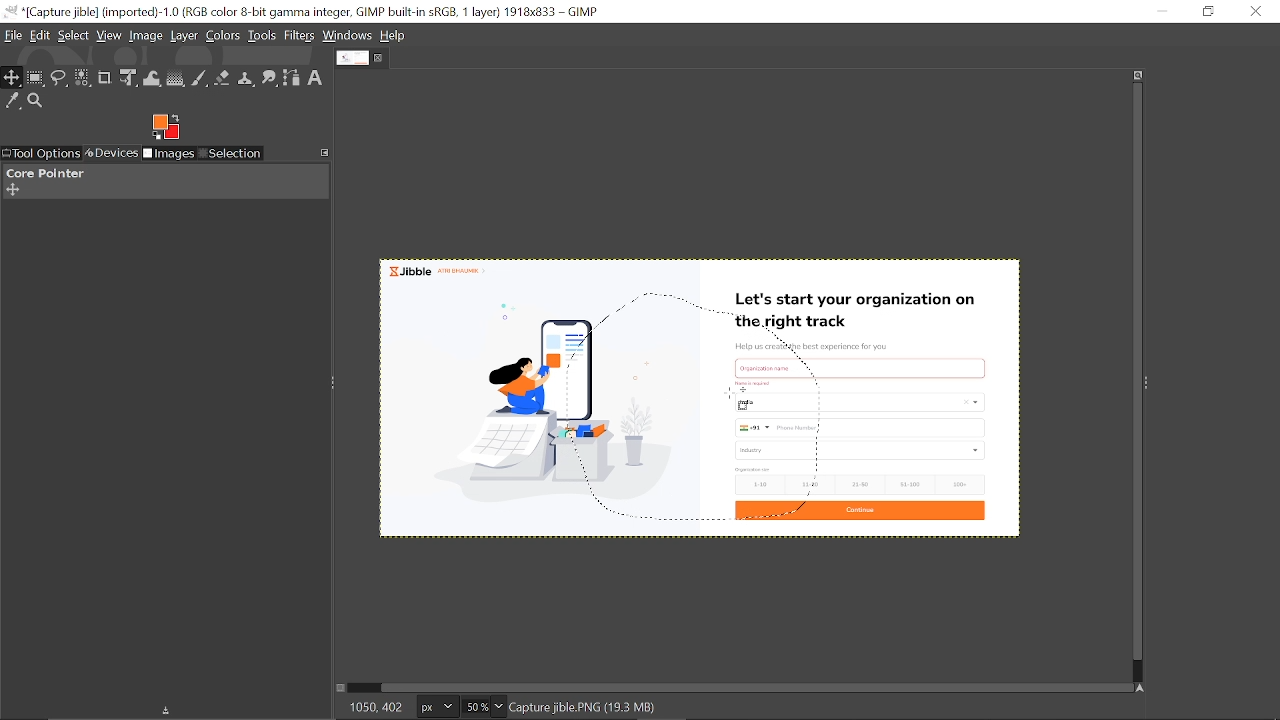 The image size is (1280, 720). Describe the element at coordinates (13, 36) in the screenshot. I see `File` at that location.